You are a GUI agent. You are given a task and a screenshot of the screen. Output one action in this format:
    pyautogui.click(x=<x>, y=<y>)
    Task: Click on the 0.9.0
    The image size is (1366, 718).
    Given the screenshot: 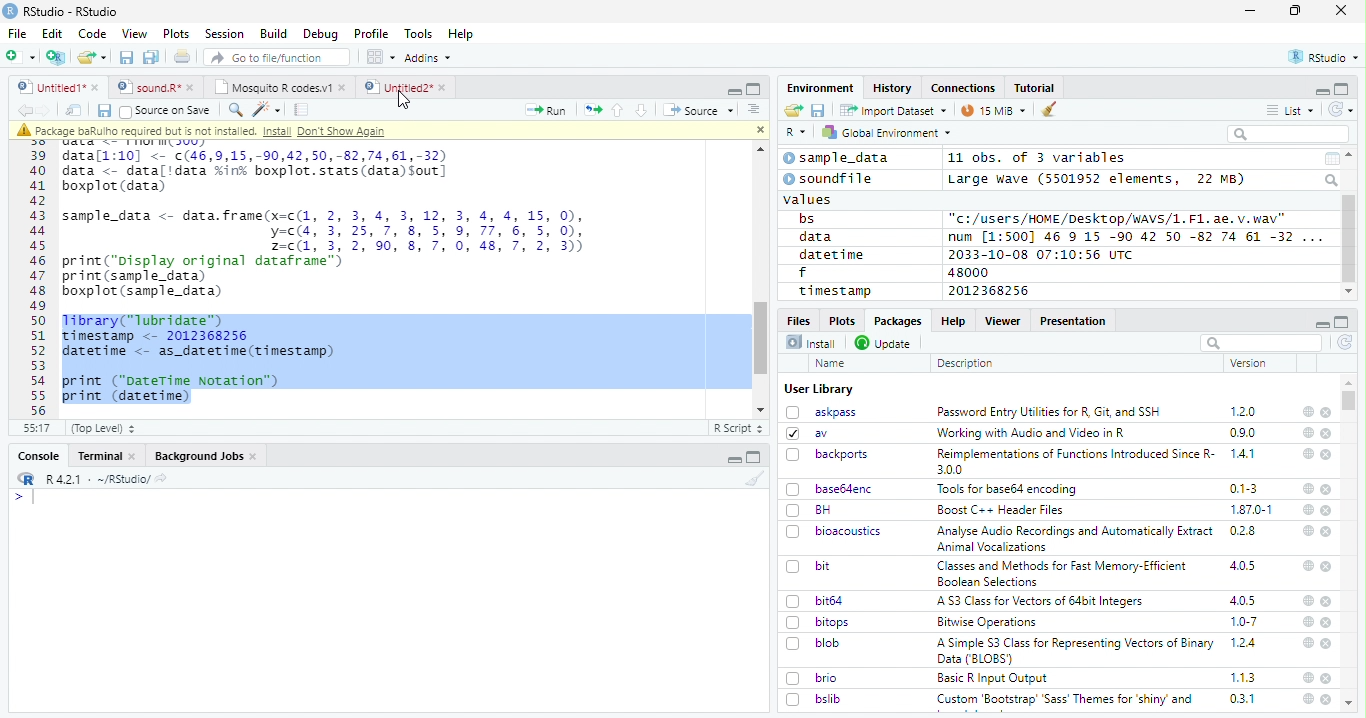 What is the action you would take?
    pyautogui.click(x=1243, y=433)
    